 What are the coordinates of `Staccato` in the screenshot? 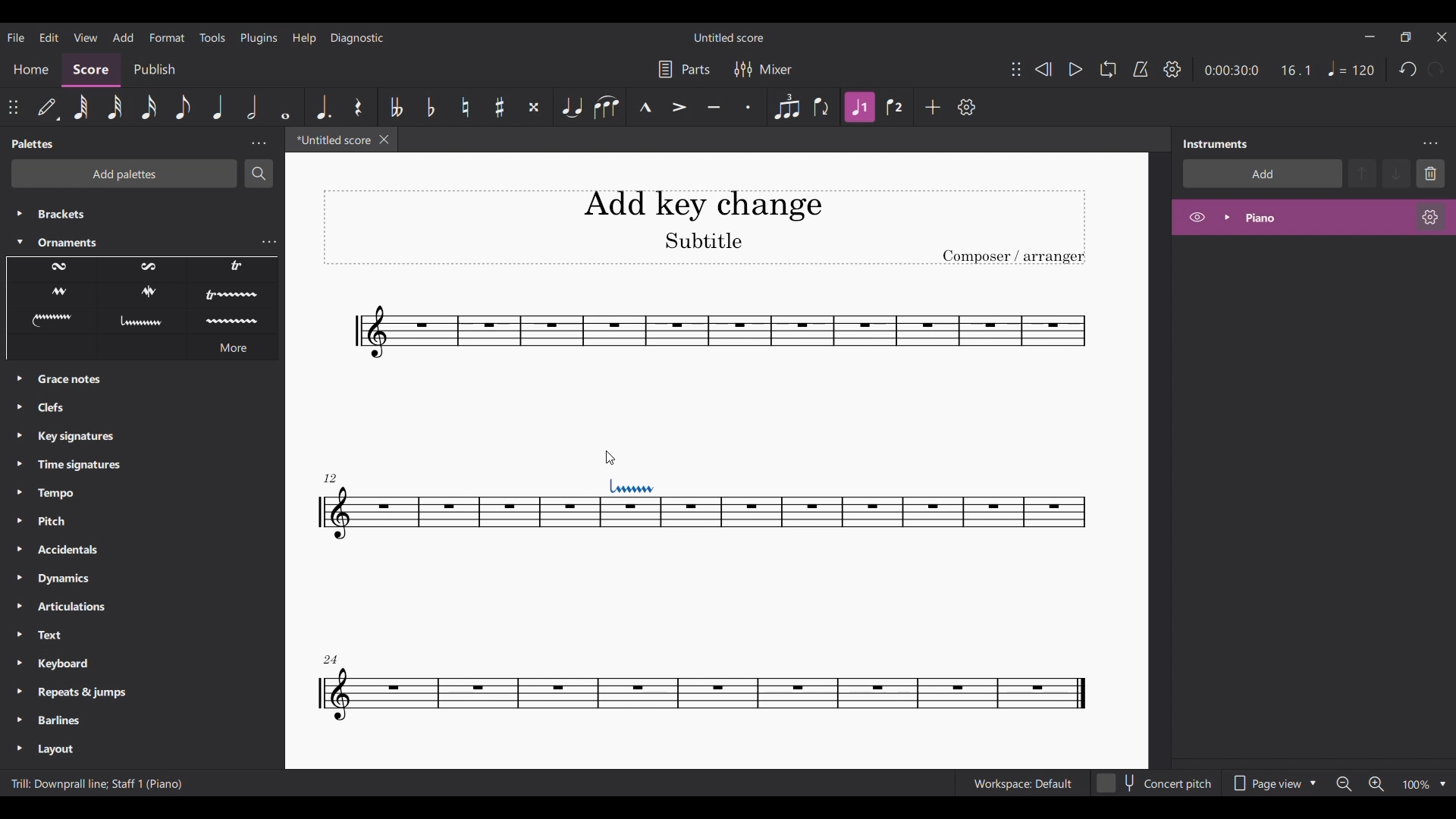 It's located at (748, 107).